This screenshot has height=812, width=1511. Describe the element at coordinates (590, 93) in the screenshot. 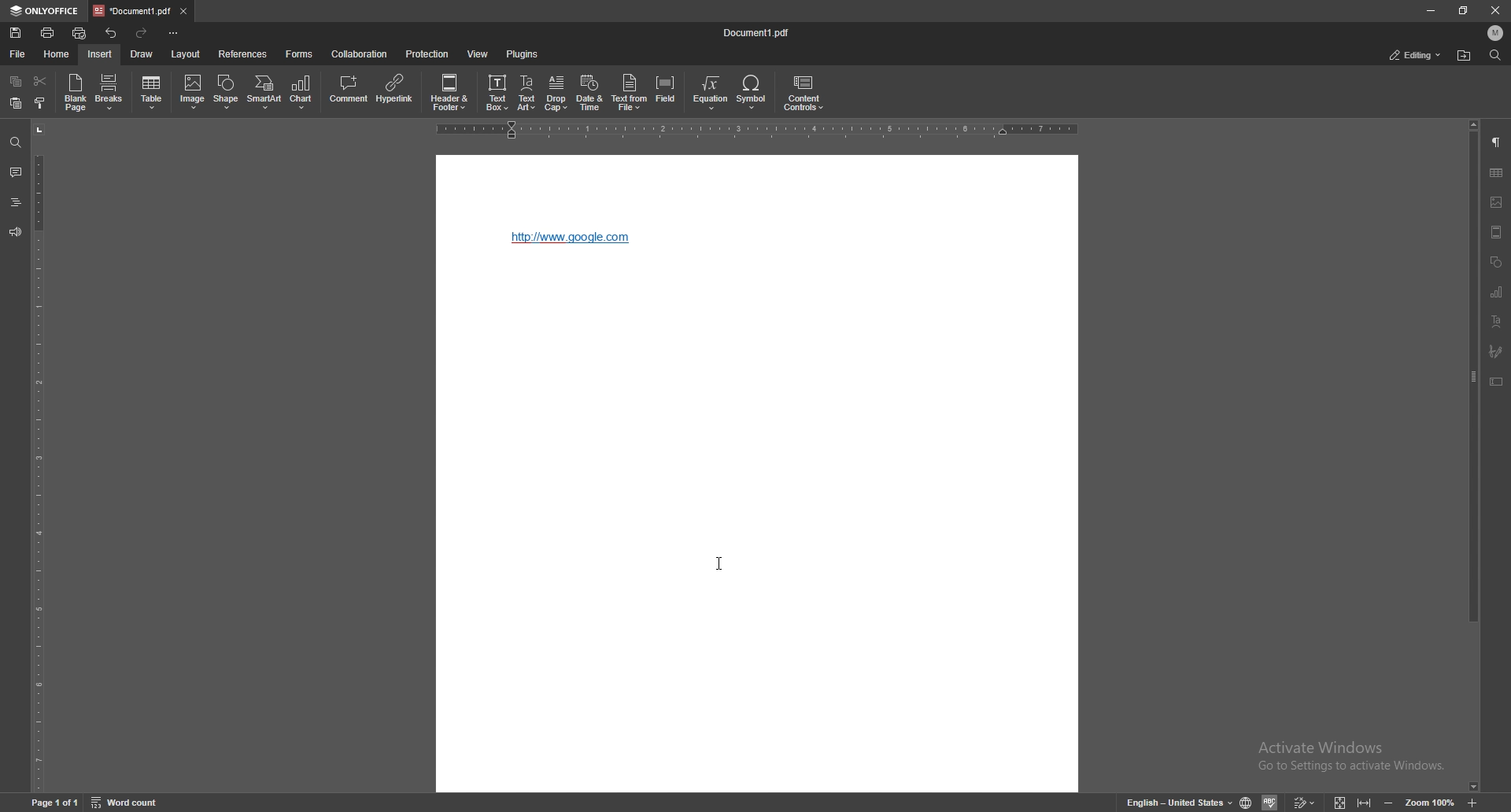

I see `date and time` at that location.